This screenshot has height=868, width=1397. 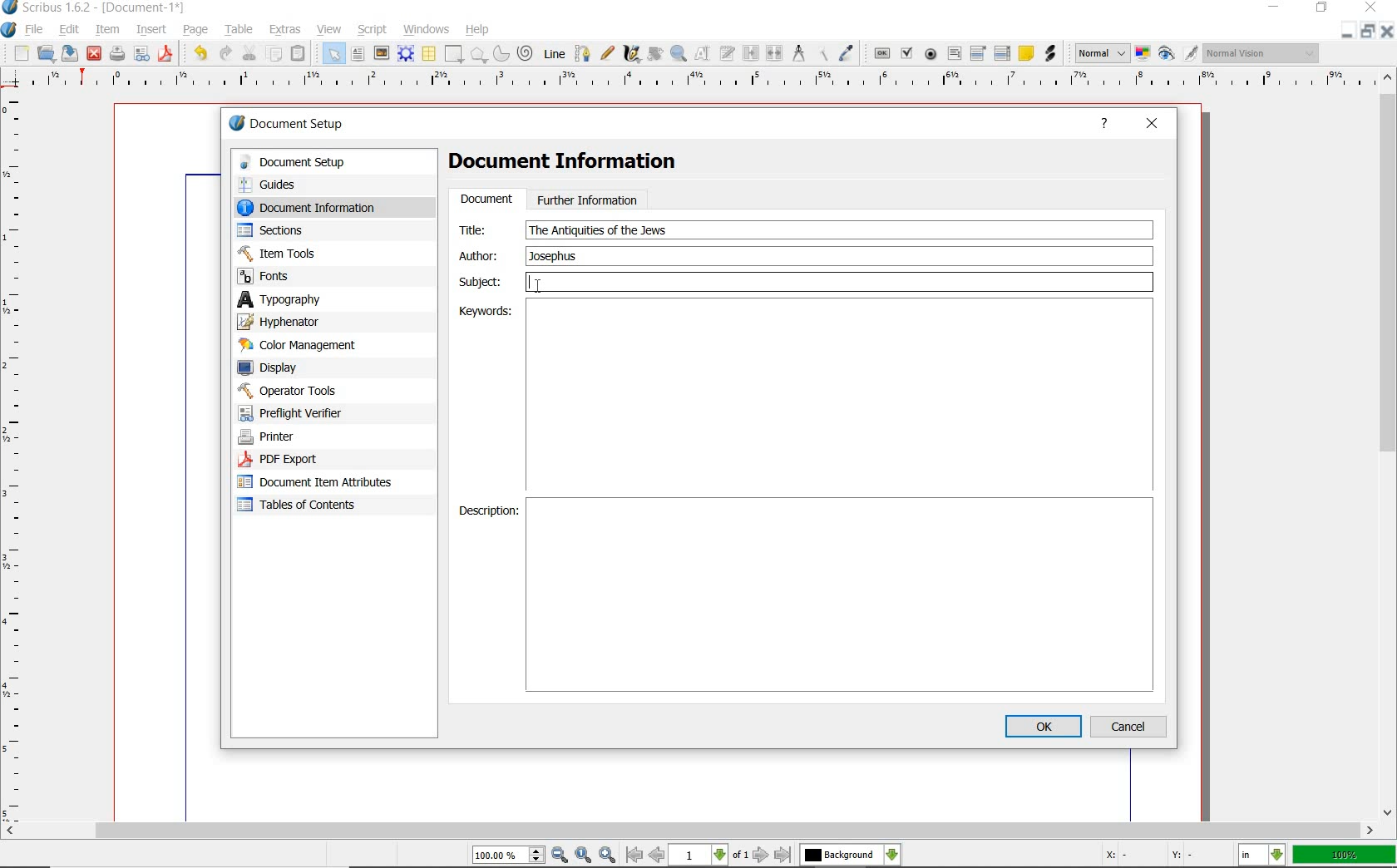 What do you see at coordinates (480, 28) in the screenshot?
I see `help` at bounding box center [480, 28].